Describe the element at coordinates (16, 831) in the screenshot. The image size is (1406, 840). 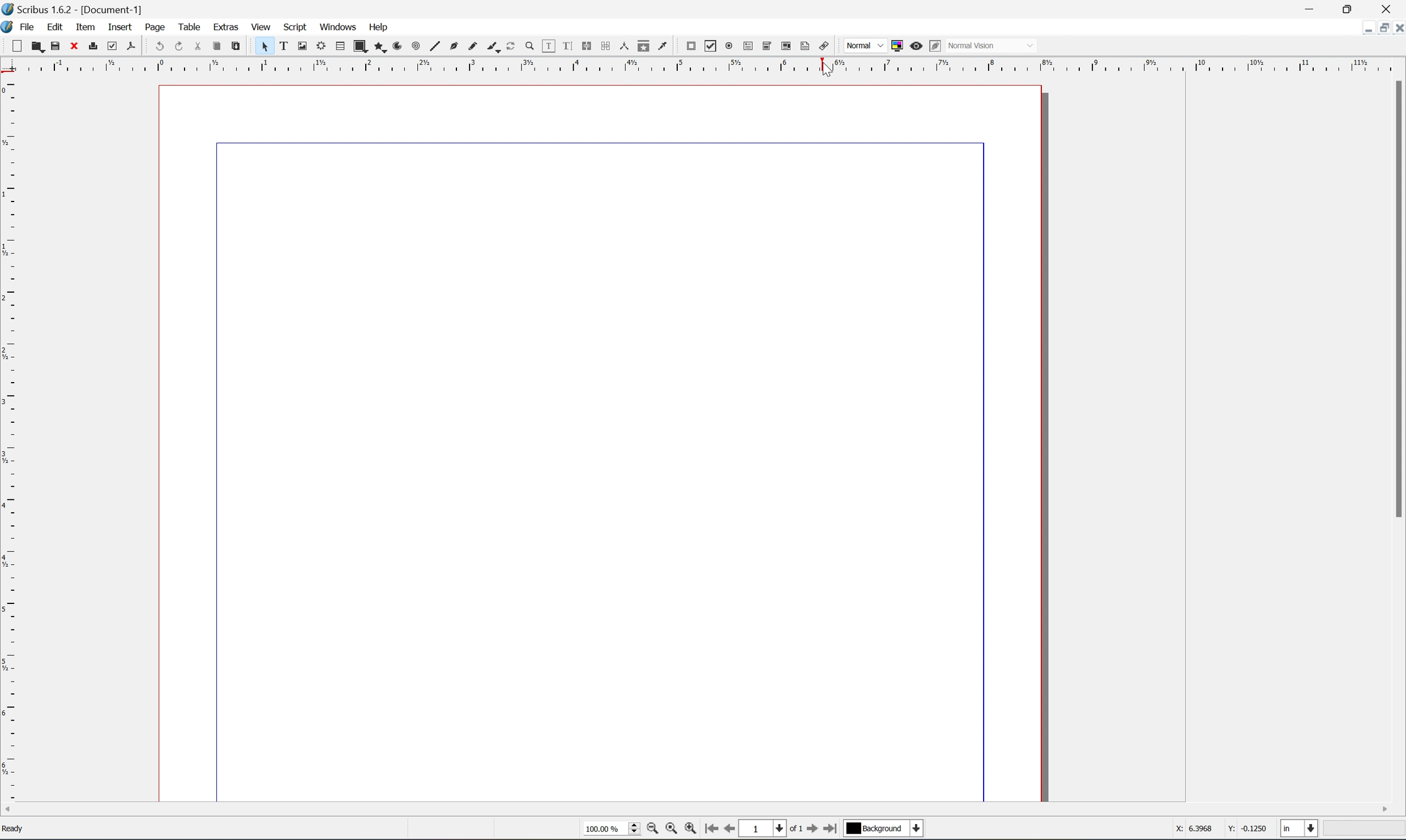
I see `Ready` at that location.